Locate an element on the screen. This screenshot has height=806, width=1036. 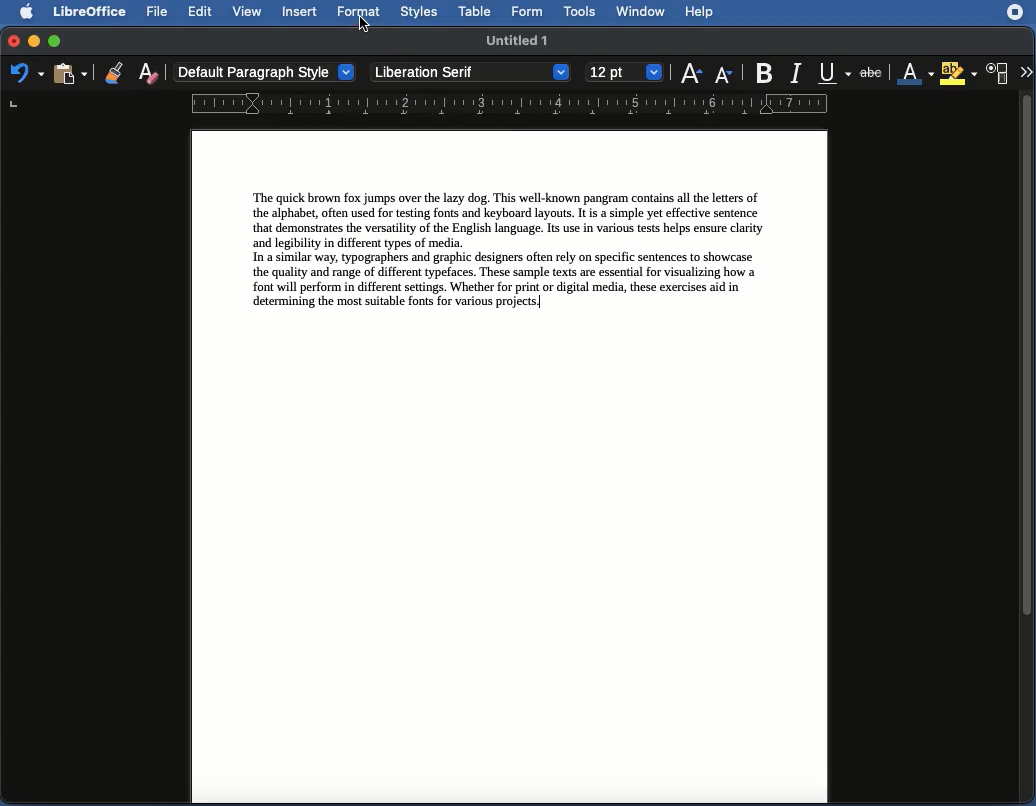
Scroll is located at coordinates (1029, 449).